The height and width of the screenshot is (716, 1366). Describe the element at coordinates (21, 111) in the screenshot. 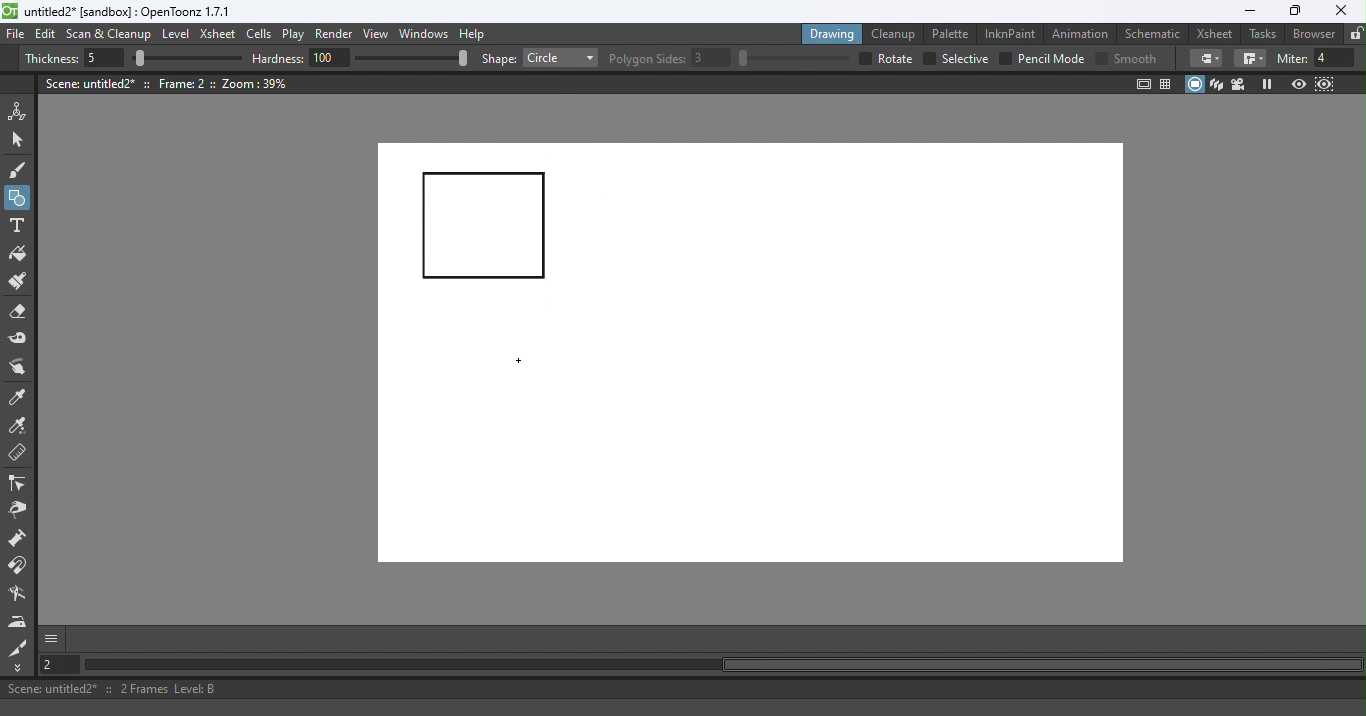

I see `Animate tool` at that location.